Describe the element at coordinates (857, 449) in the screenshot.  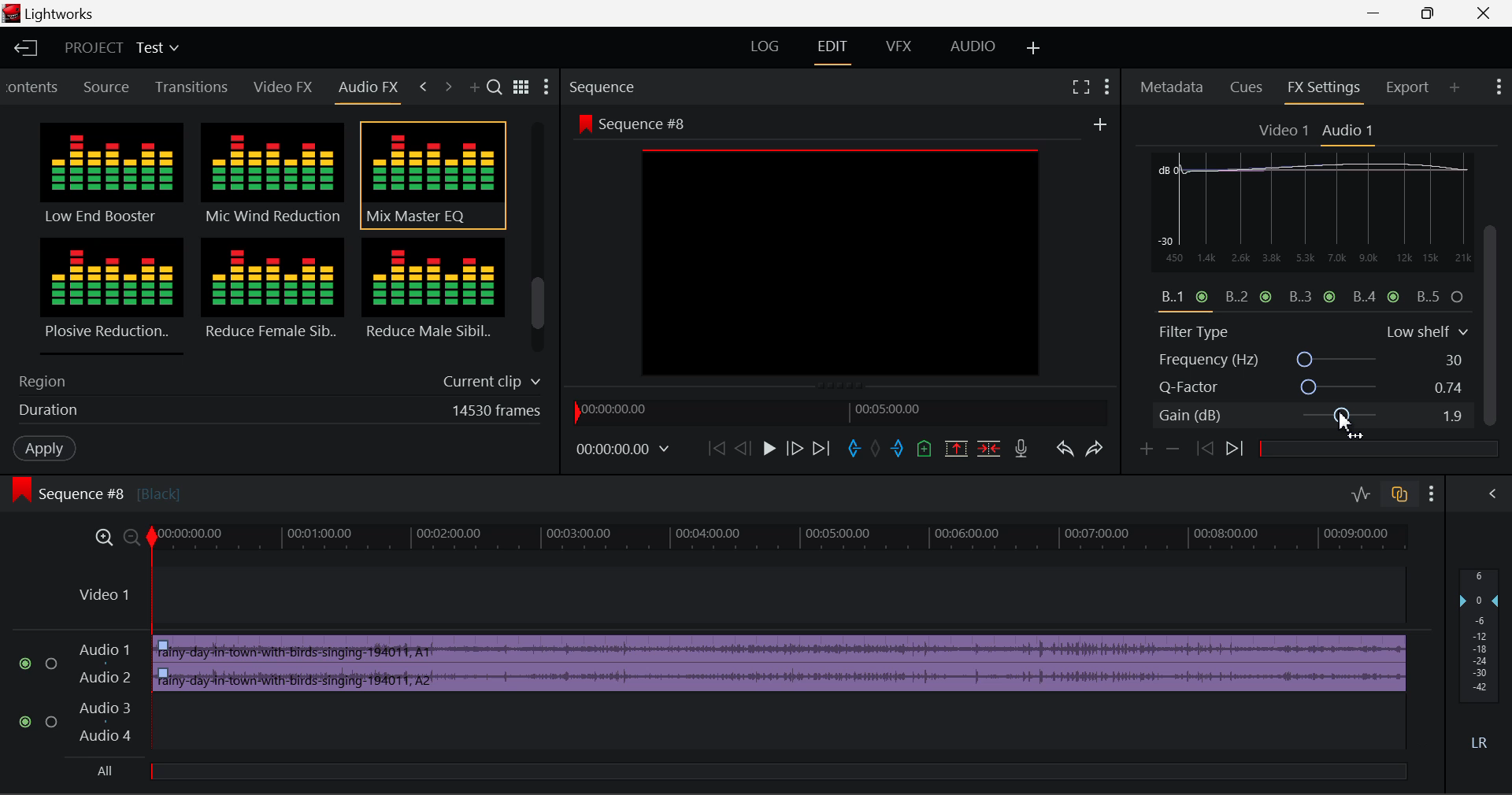
I see `Mark In` at that location.